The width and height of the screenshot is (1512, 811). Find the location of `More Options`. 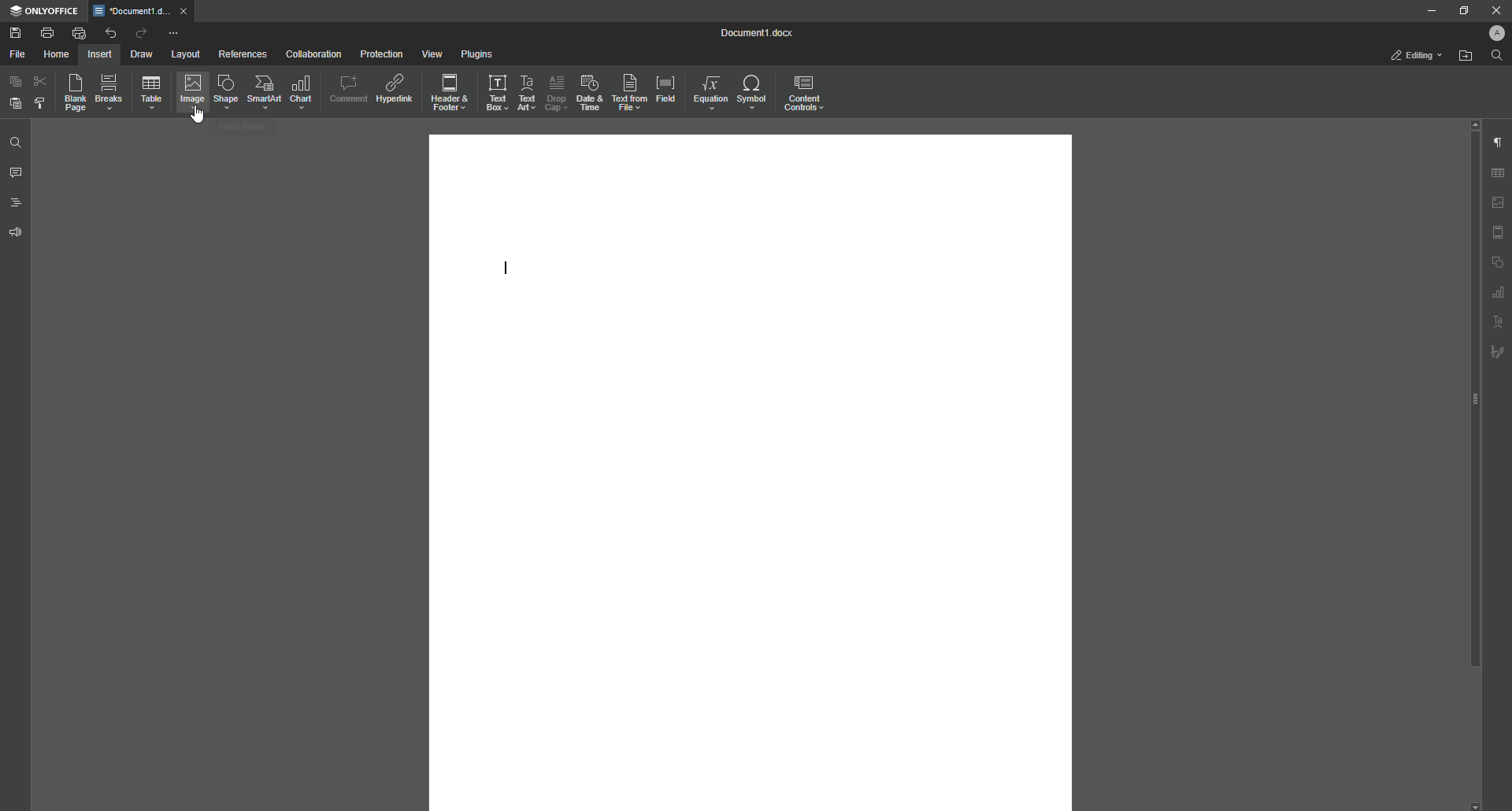

More Options is located at coordinates (176, 33).